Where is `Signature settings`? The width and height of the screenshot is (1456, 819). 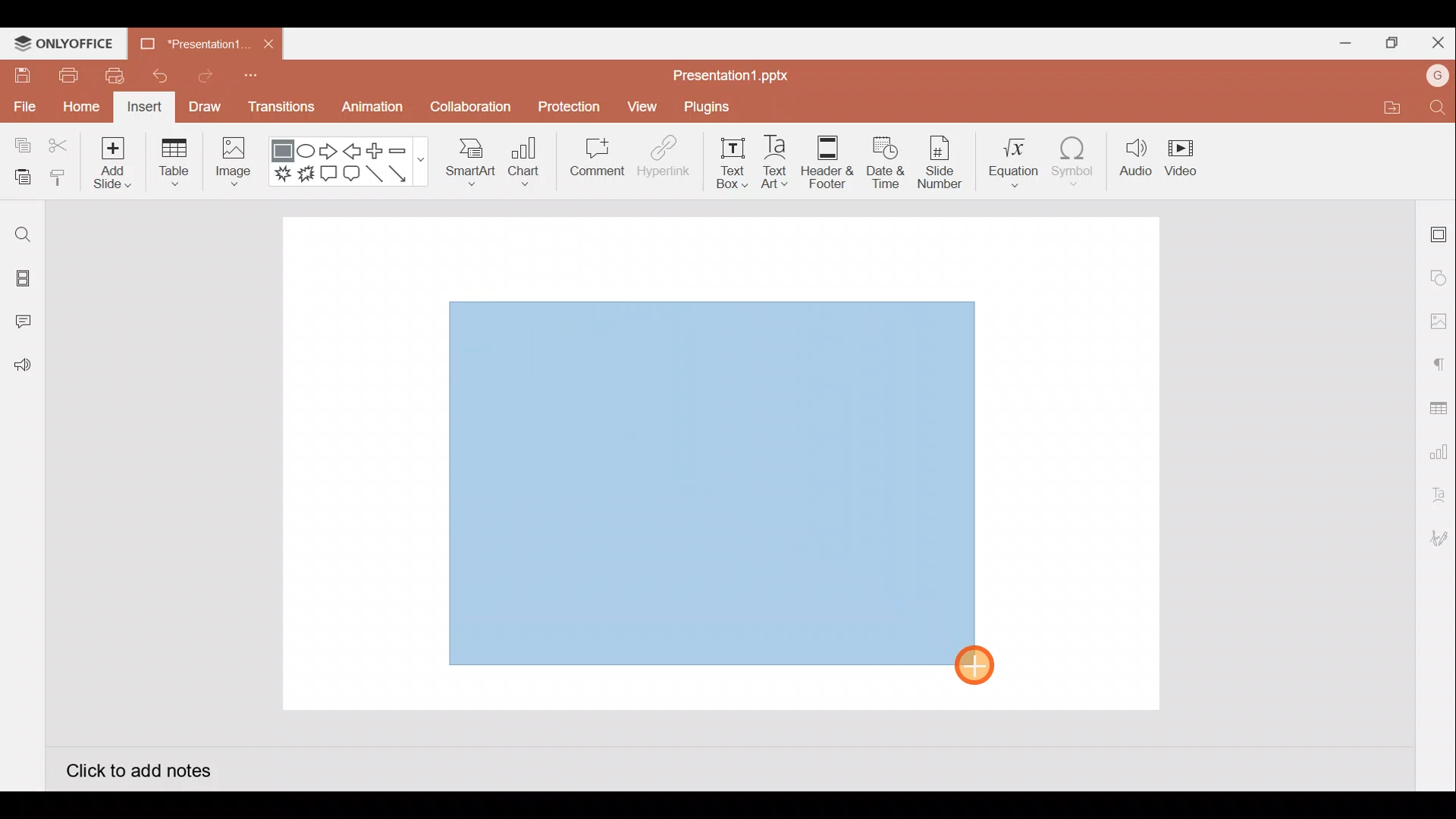
Signature settings is located at coordinates (1436, 540).